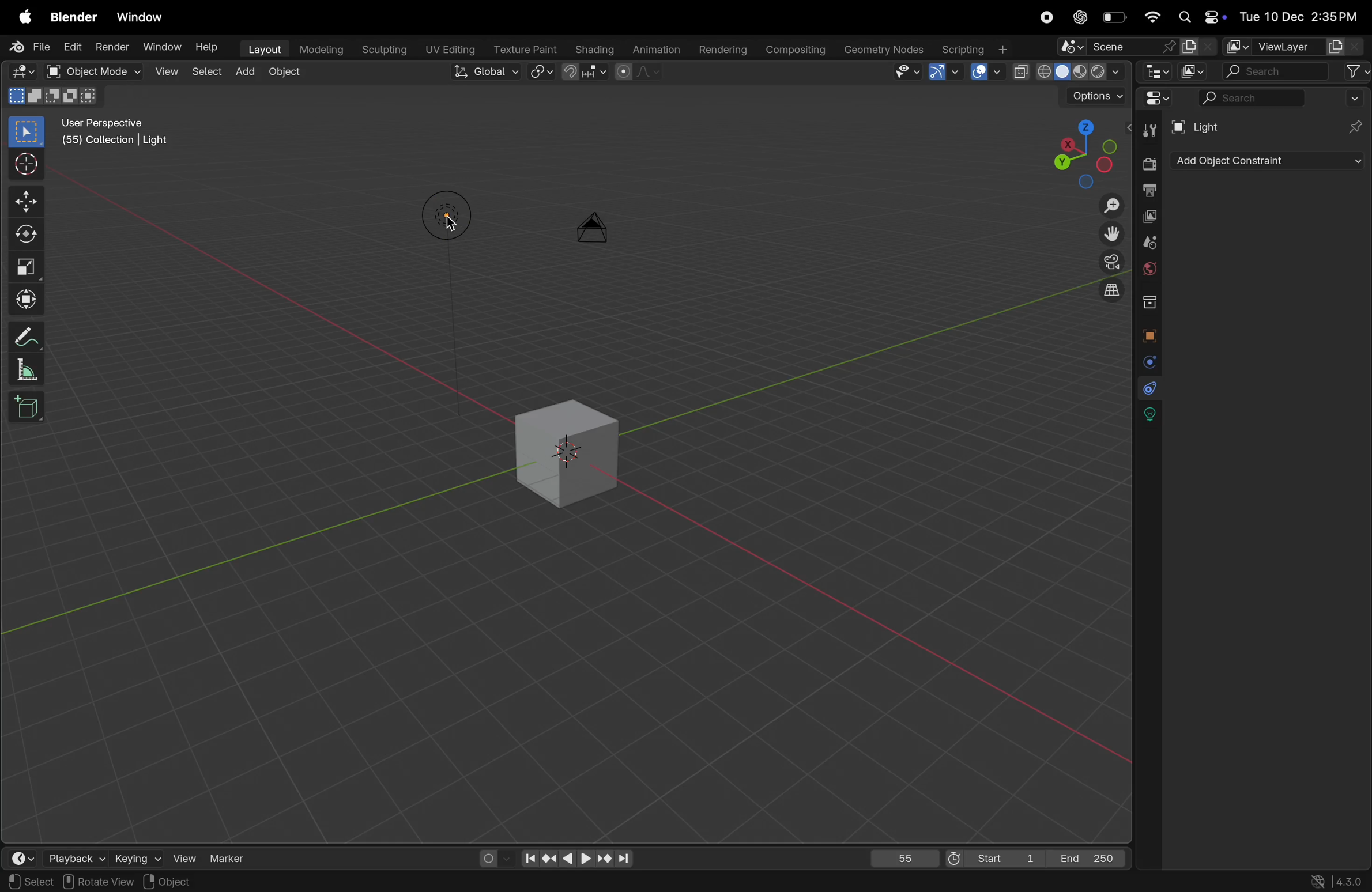 This screenshot has height=892, width=1372. I want to click on camera, so click(597, 235).